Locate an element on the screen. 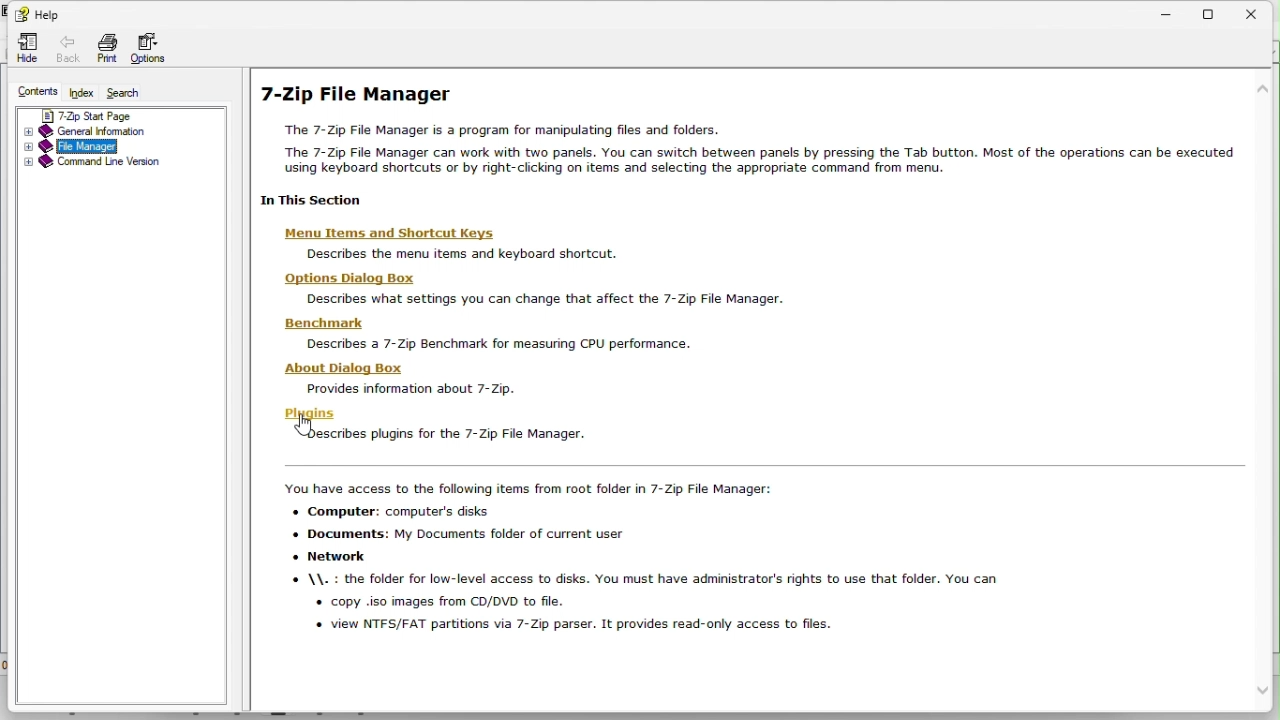 The image size is (1280, 720). LC] Descrives the menu items and keyboard shortcut. is located at coordinates (484, 255).